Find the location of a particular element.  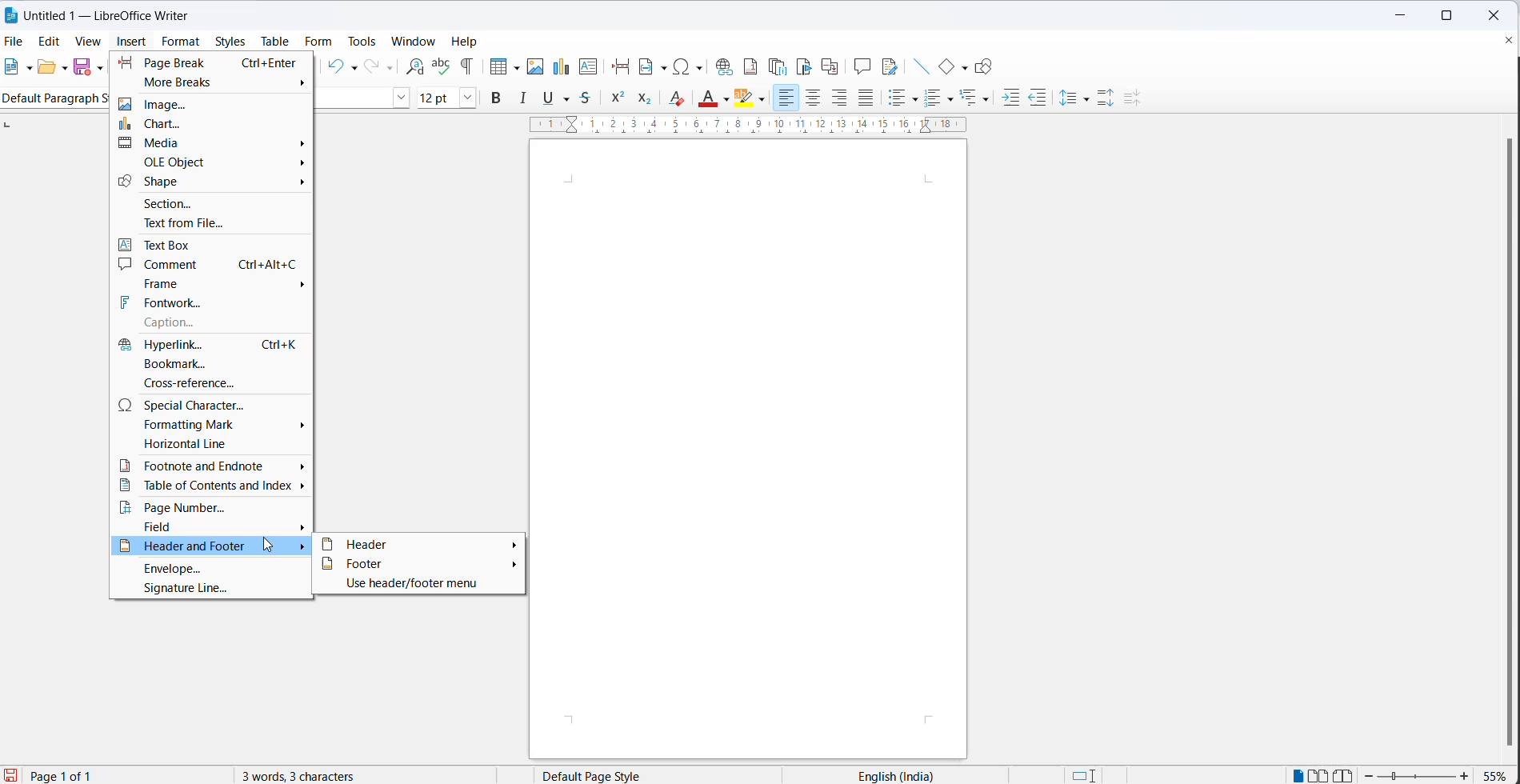

font size dropdown button is located at coordinates (467, 98).